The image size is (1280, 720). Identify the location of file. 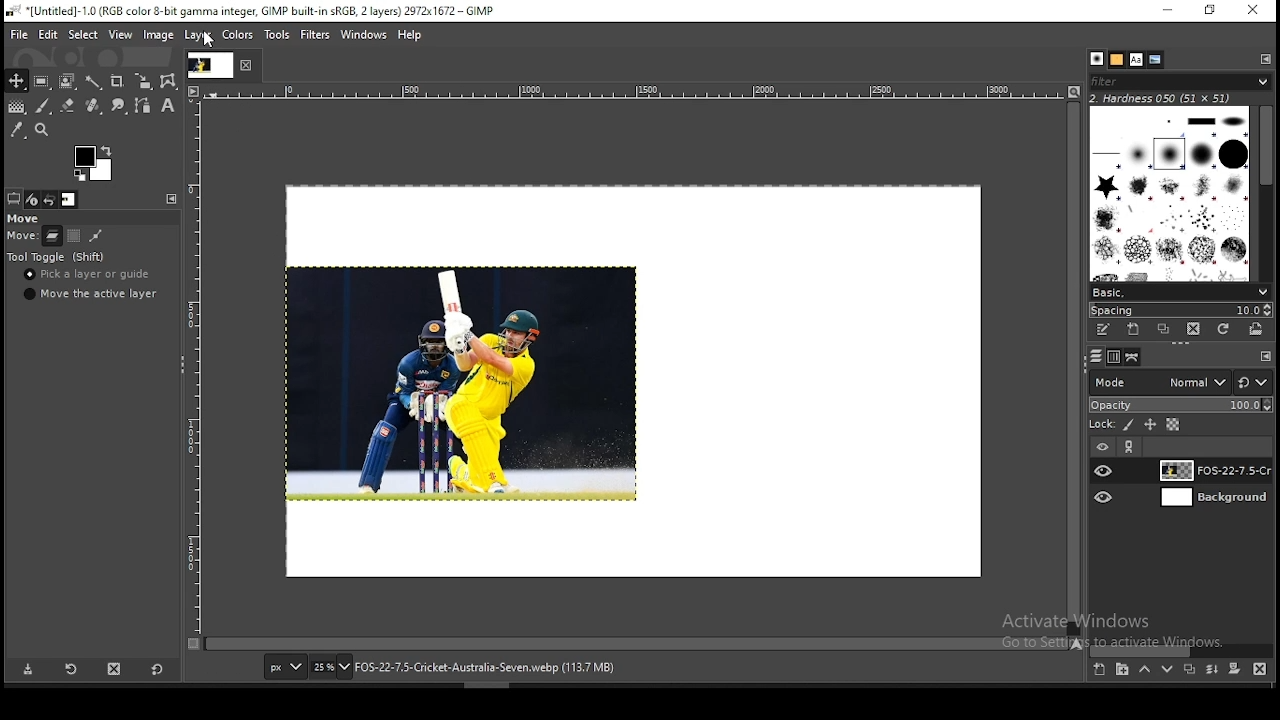
(19, 33).